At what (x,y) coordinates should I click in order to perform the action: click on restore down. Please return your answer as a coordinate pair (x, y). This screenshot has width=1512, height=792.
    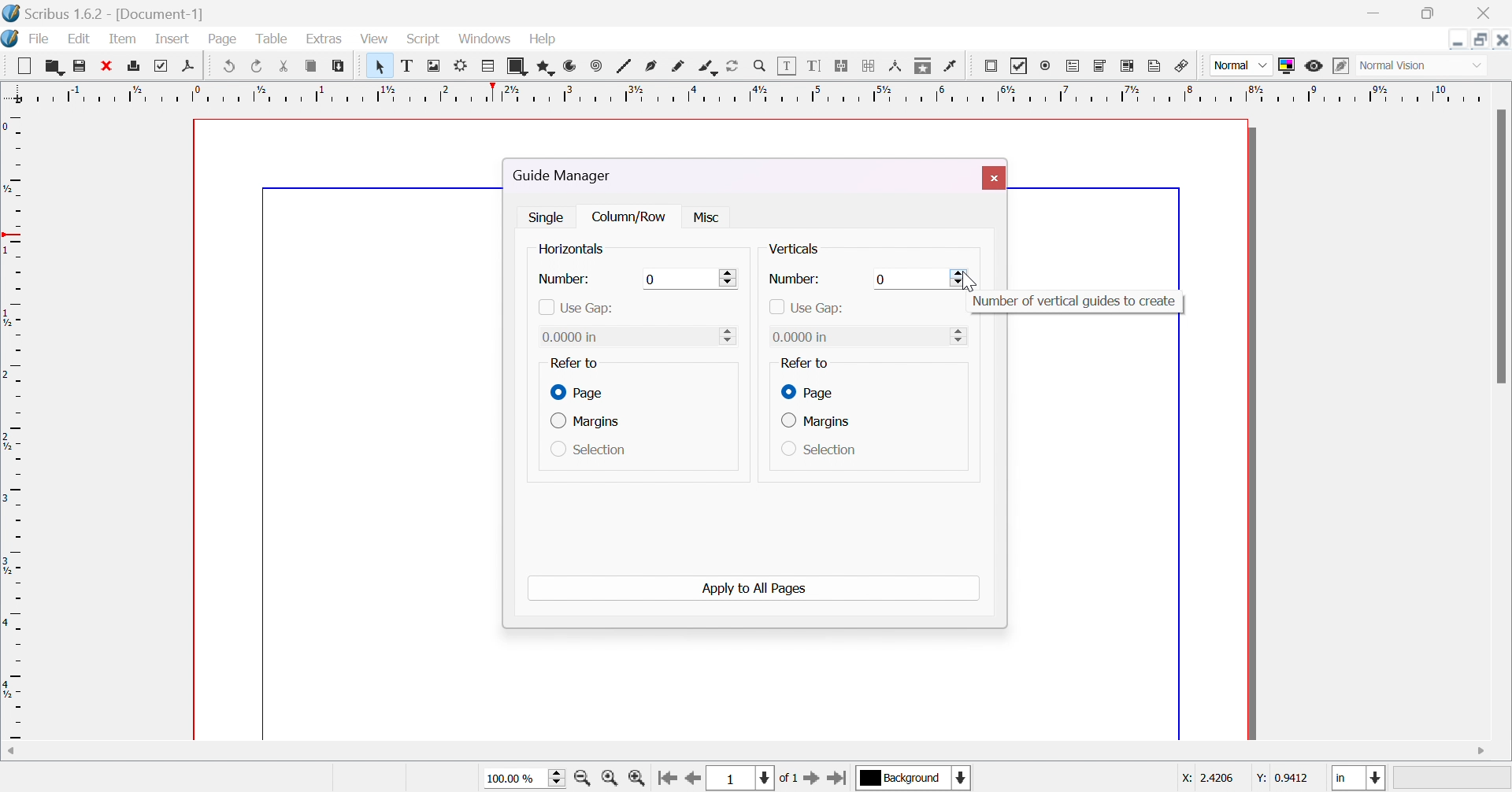
    Looking at the image, I should click on (1429, 14).